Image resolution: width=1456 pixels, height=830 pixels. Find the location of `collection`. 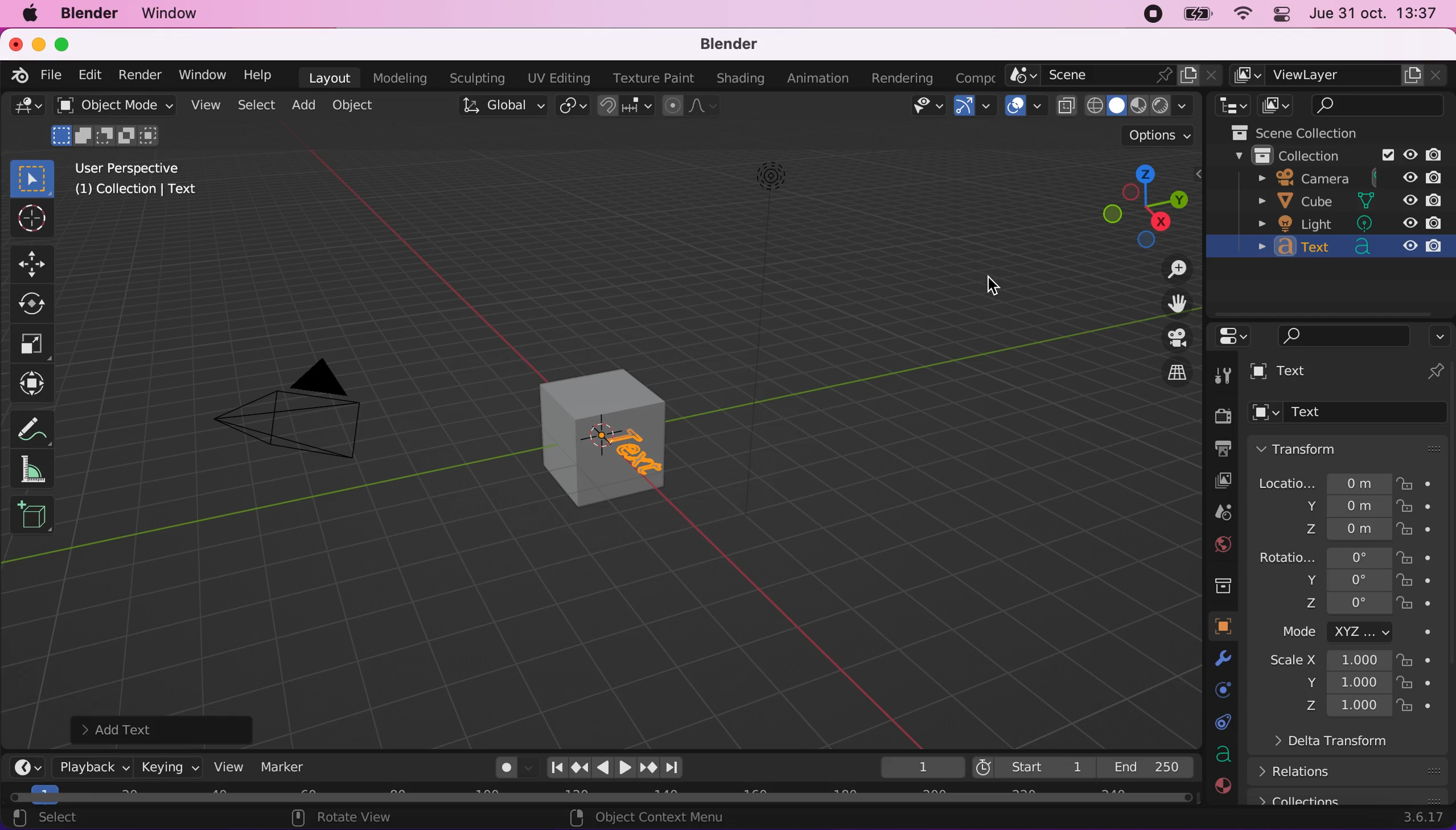

collection is located at coordinates (1221, 587).